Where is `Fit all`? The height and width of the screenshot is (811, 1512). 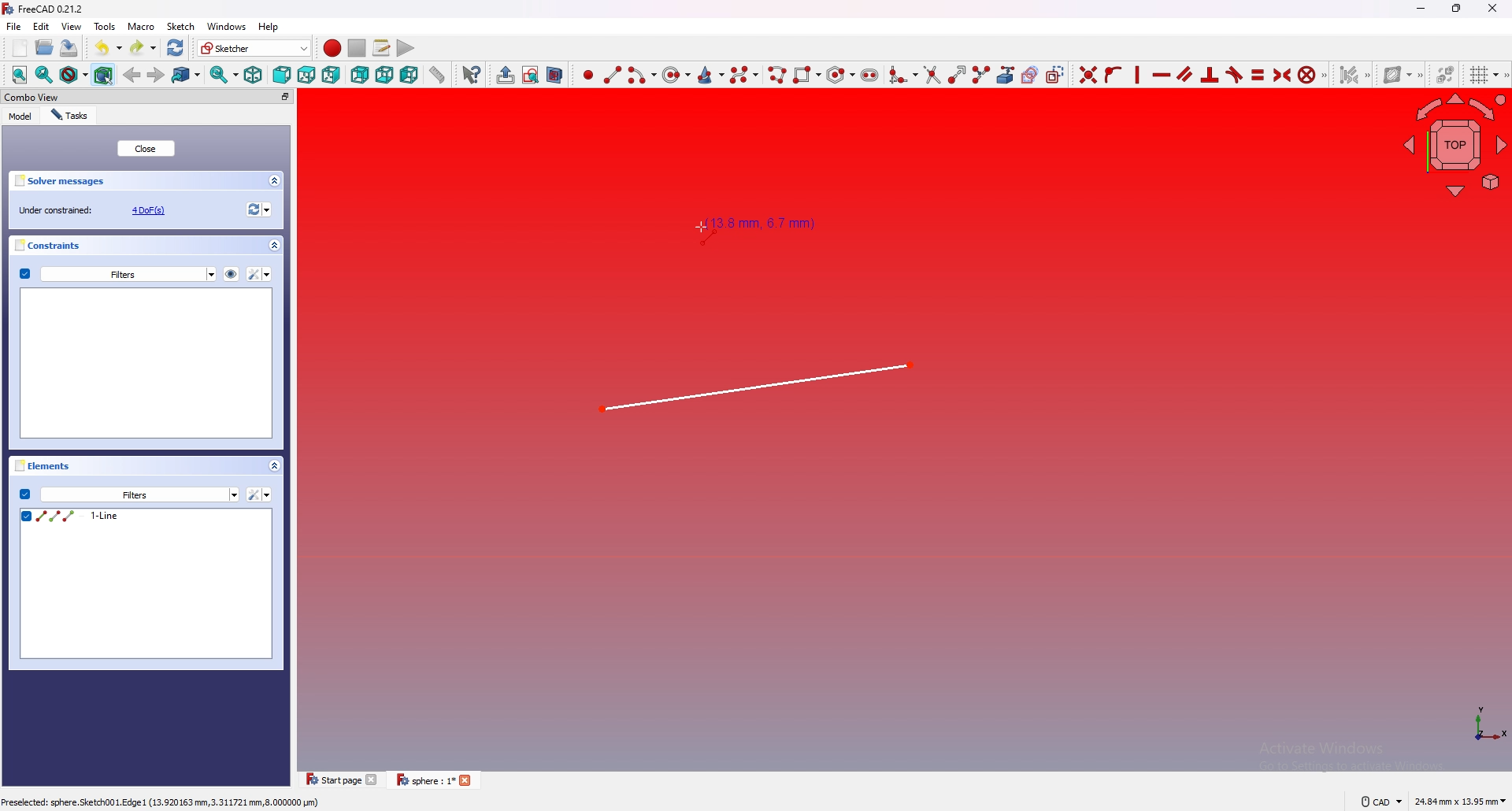
Fit all is located at coordinates (16, 75).